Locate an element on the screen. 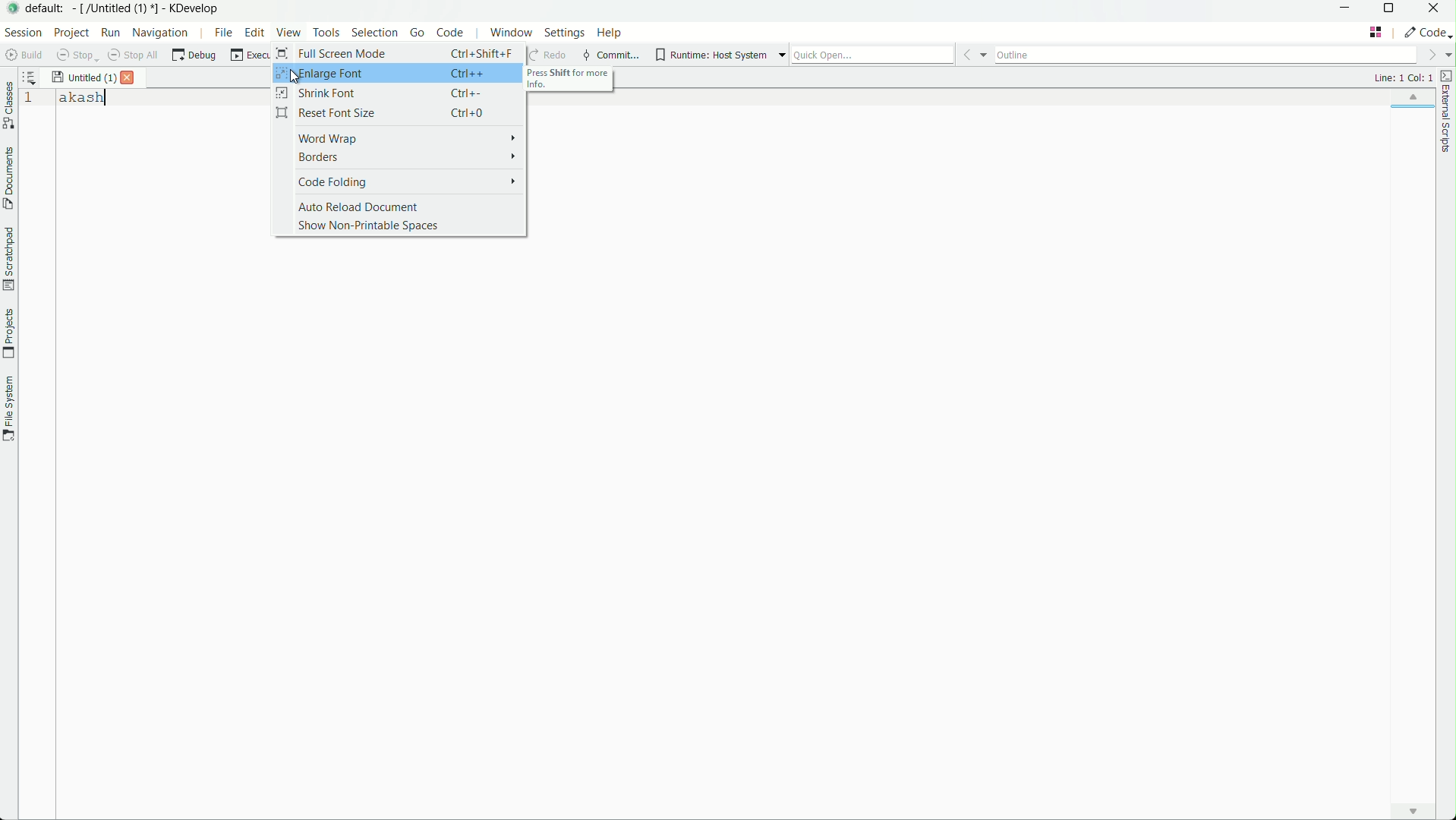 This screenshot has height=820, width=1456. edit is located at coordinates (256, 33).